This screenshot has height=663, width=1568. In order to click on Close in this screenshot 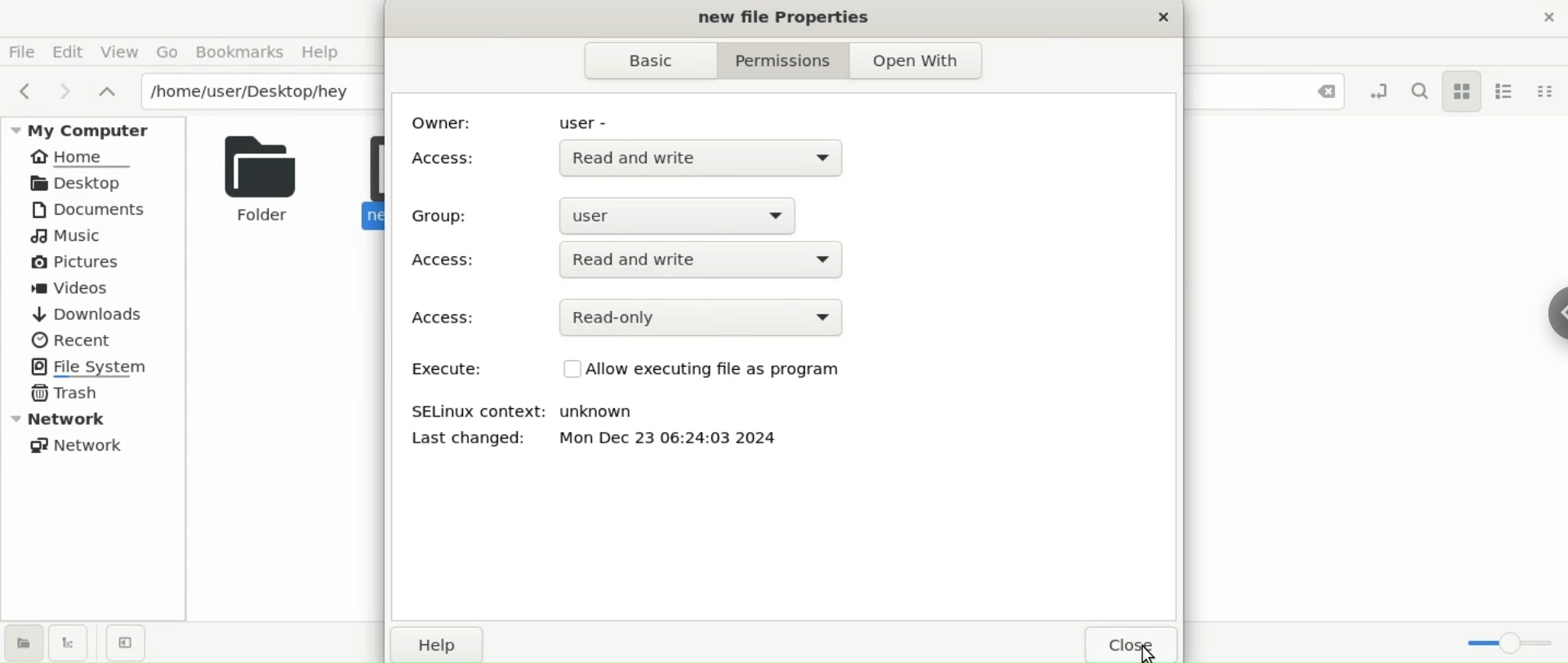, I will do `click(1325, 91)`.